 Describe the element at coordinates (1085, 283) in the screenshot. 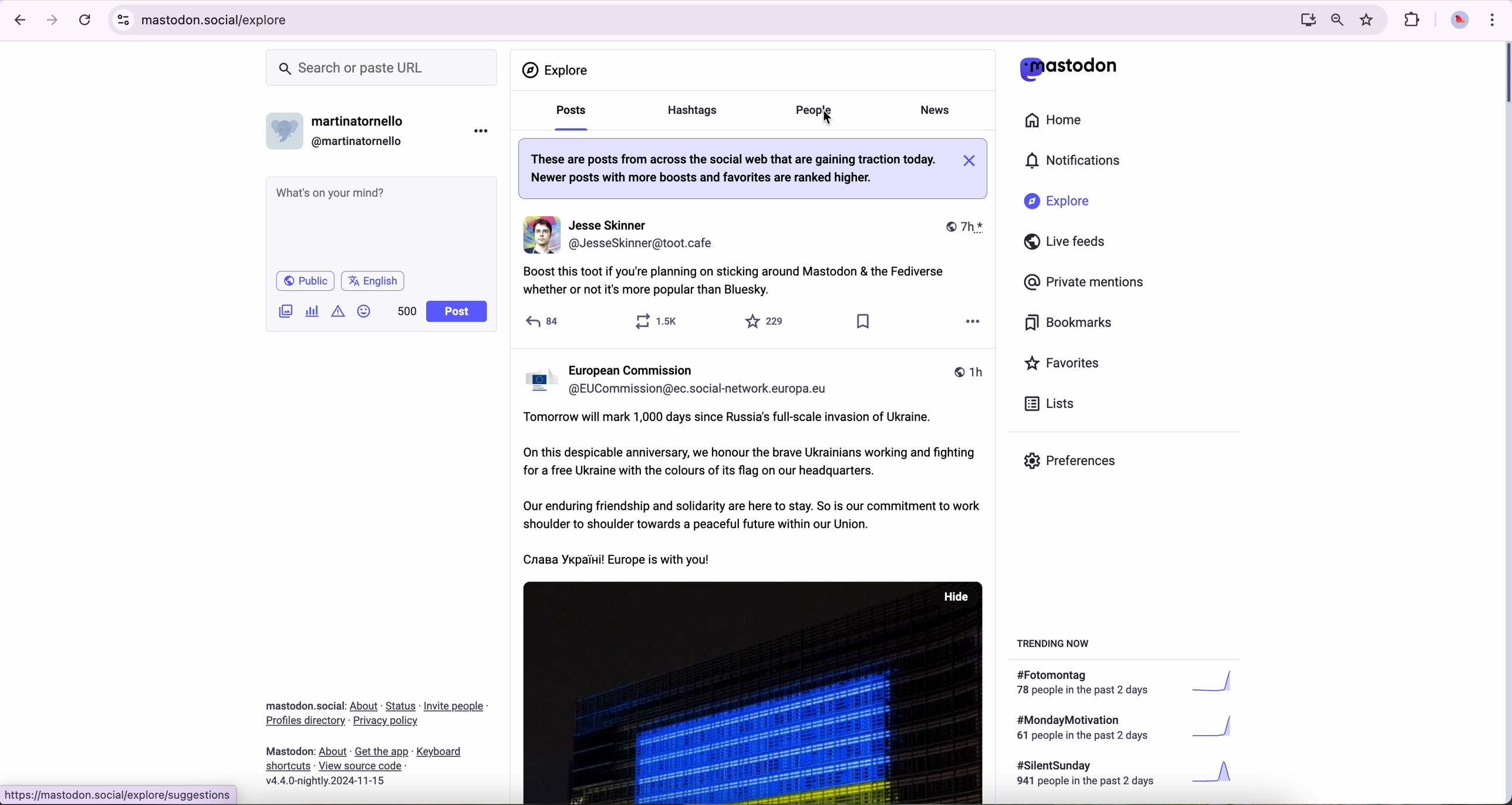

I see `private mentions` at that location.